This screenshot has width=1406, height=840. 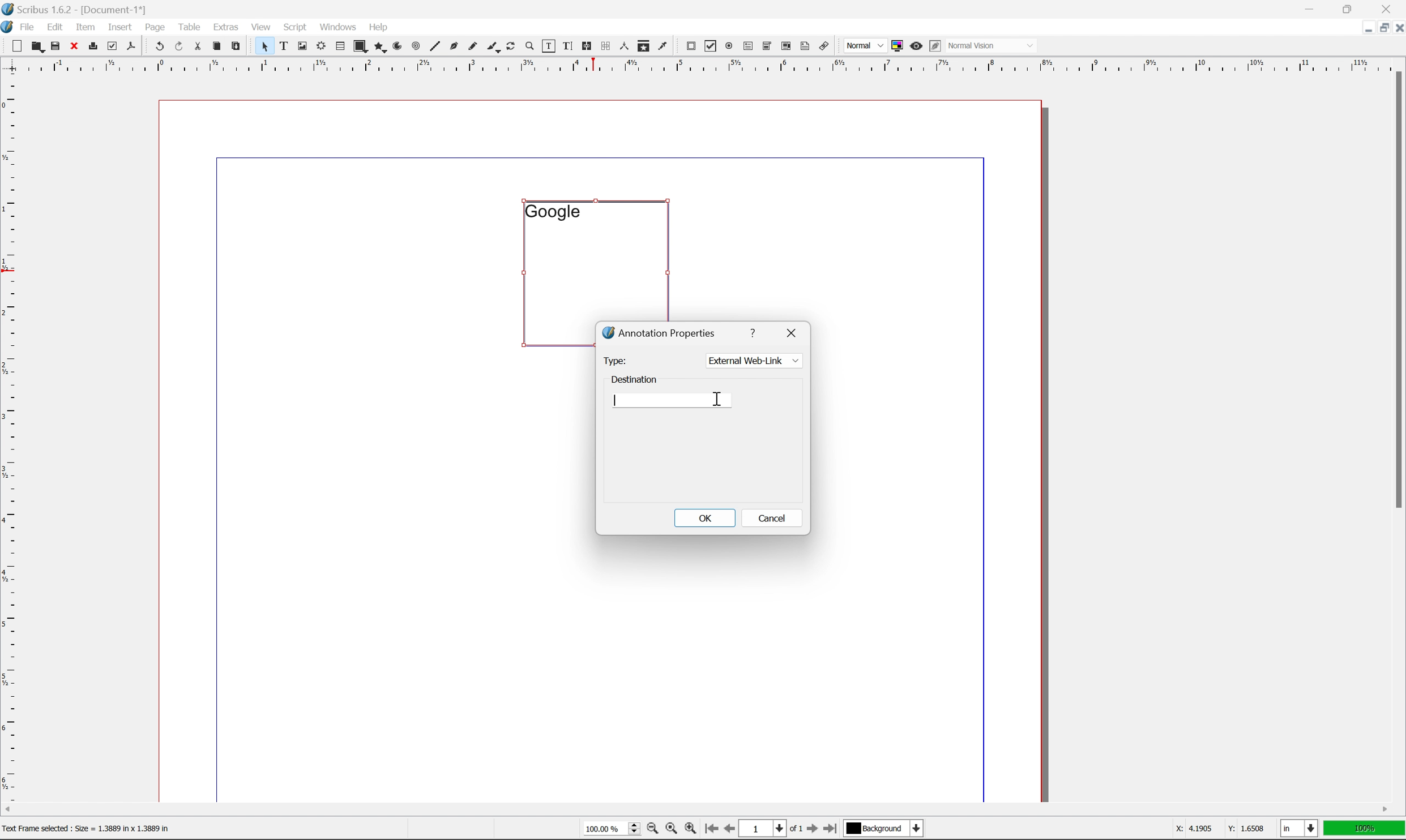 What do you see at coordinates (766, 47) in the screenshot?
I see `pdf combo box` at bounding box center [766, 47].